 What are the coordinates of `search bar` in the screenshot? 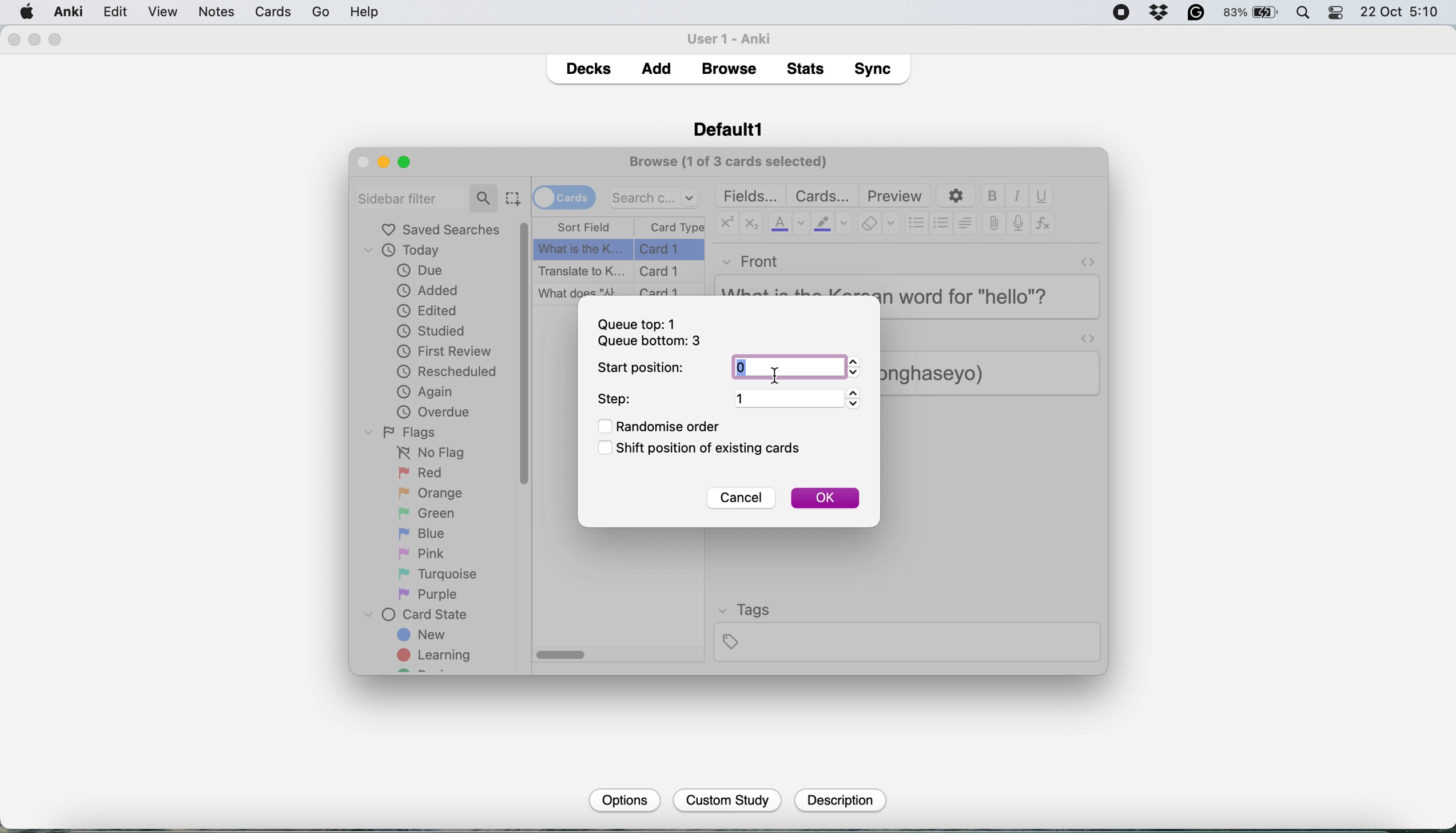 It's located at (427, 197).